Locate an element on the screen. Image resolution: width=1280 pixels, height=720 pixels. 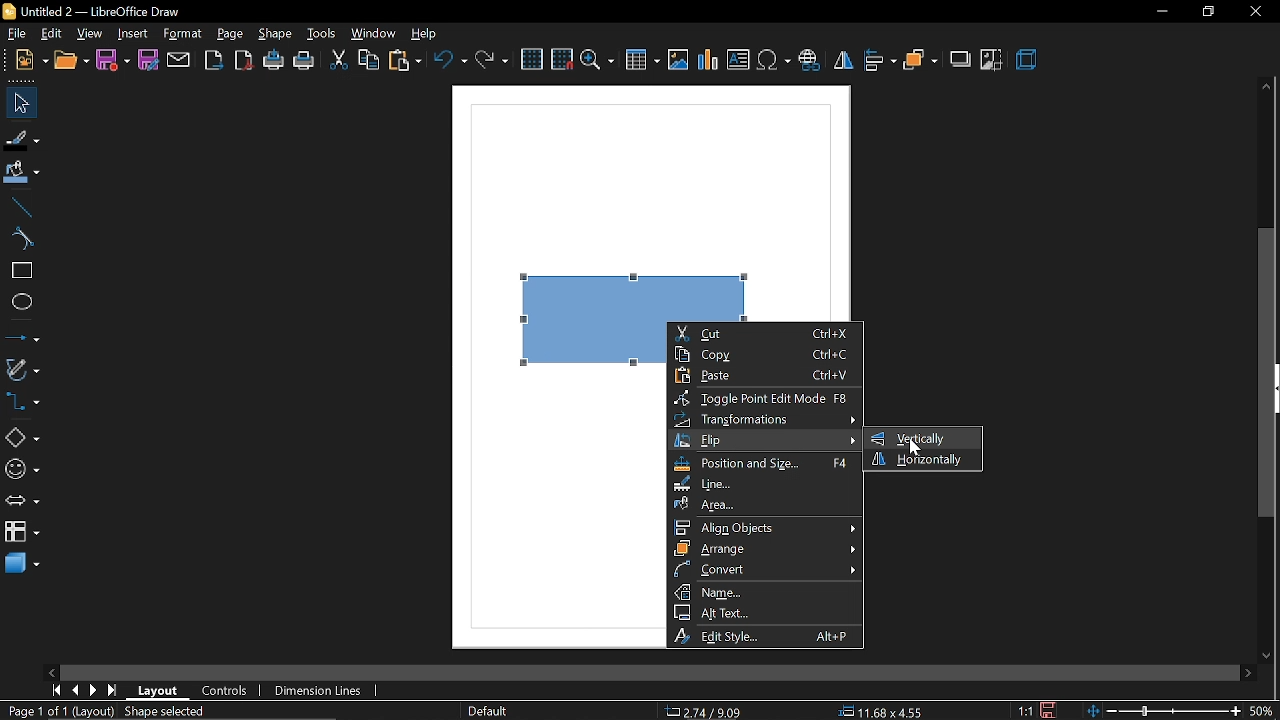
basic shapes is located at coordinates (20, 437).